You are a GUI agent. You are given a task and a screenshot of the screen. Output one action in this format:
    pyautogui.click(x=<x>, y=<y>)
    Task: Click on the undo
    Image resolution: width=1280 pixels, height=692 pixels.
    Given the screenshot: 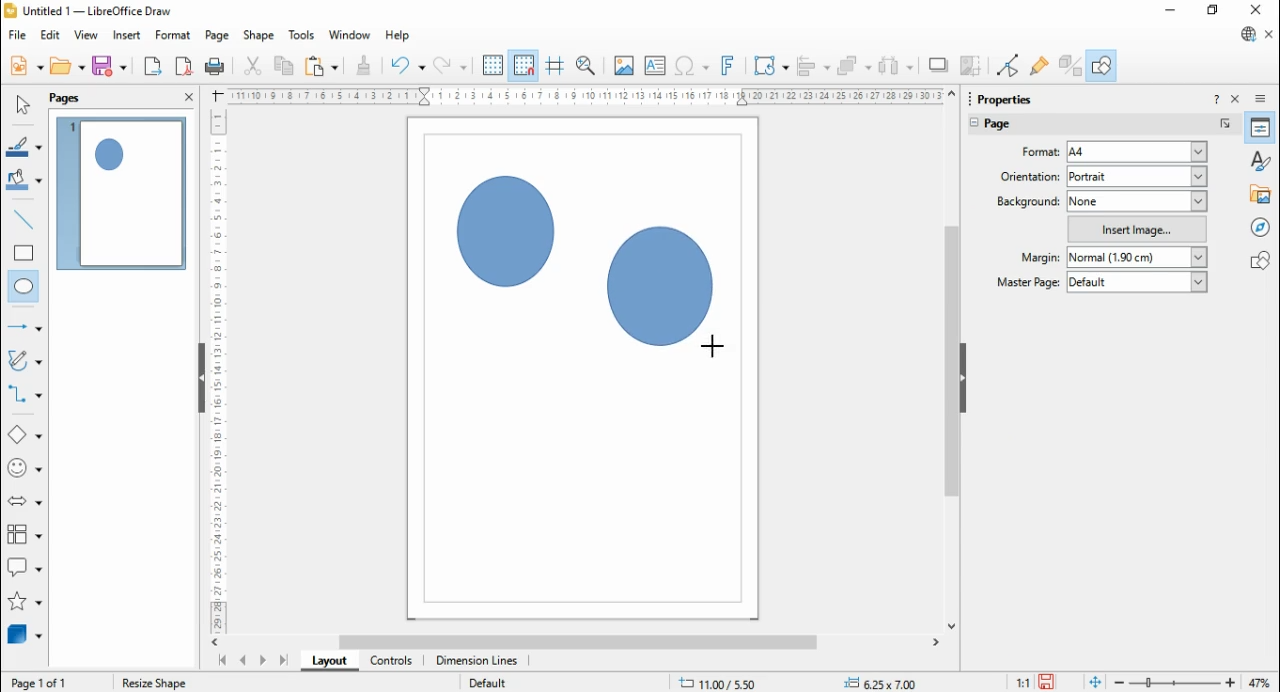 What is the action you would take?
    pyautogui.click(x=408, y=66)
    